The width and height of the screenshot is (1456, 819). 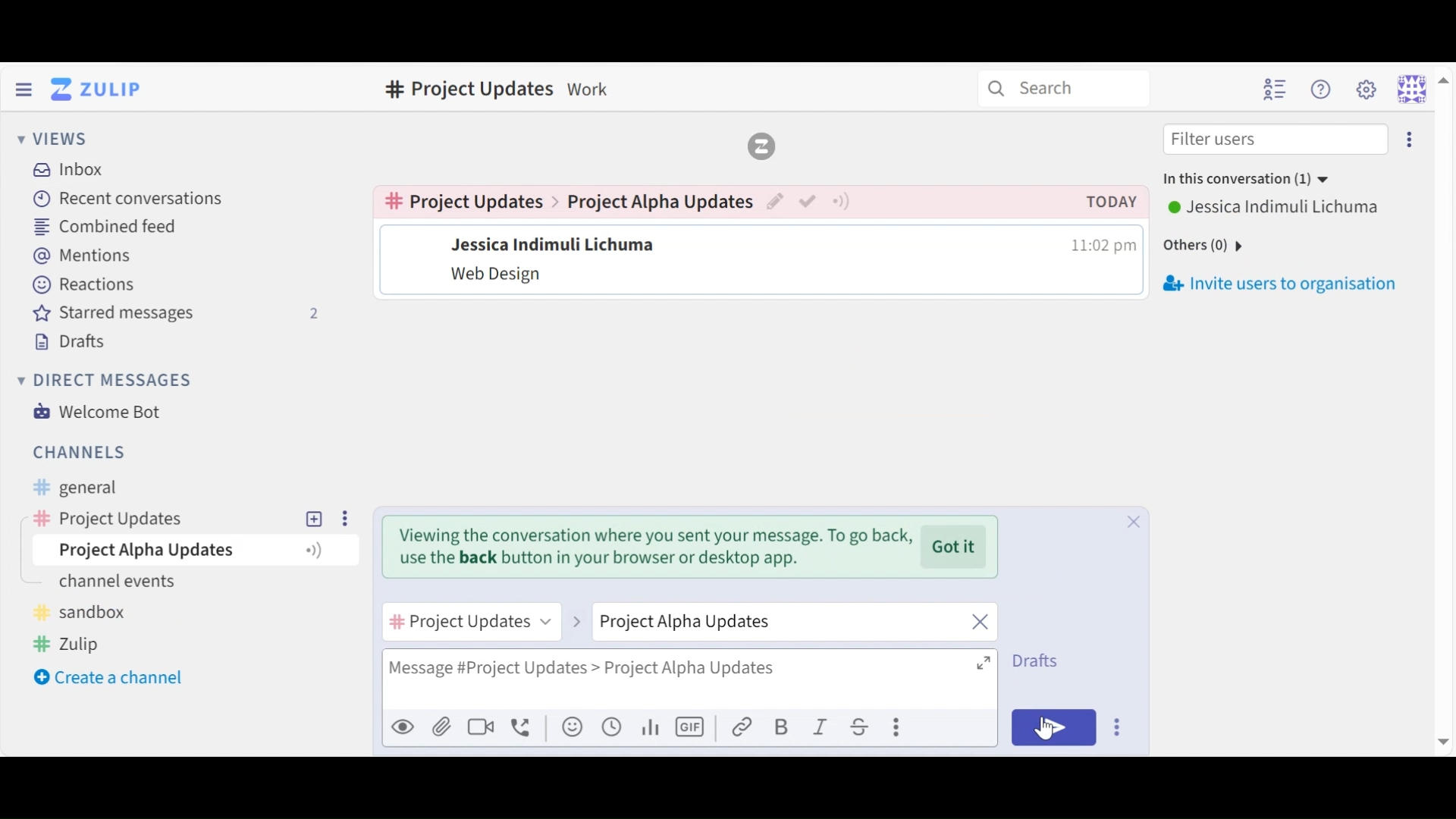 I want to click on Preview, so click(x=402, y=726).